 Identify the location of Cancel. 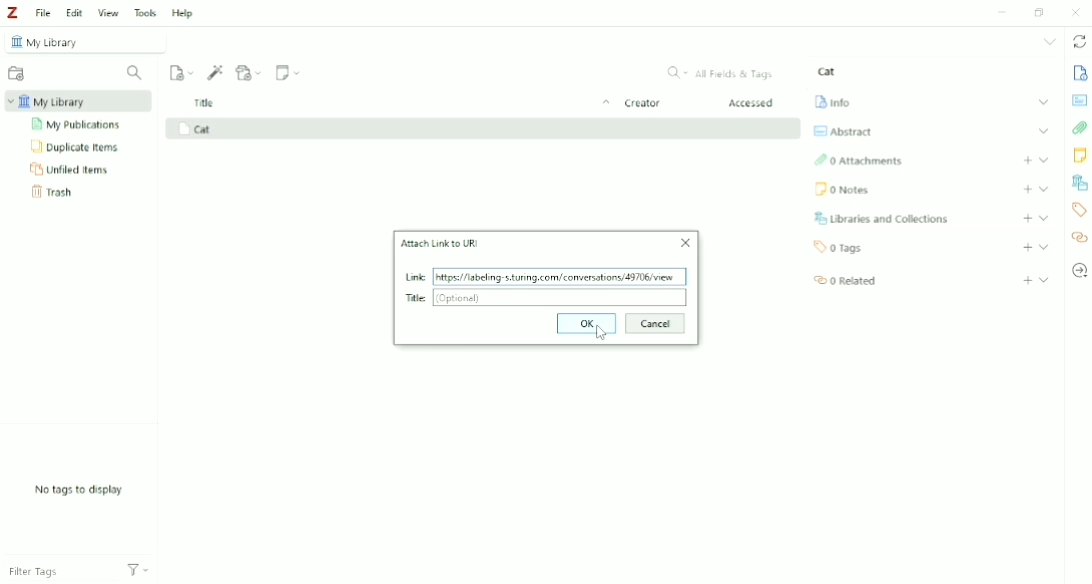
(655, 323).